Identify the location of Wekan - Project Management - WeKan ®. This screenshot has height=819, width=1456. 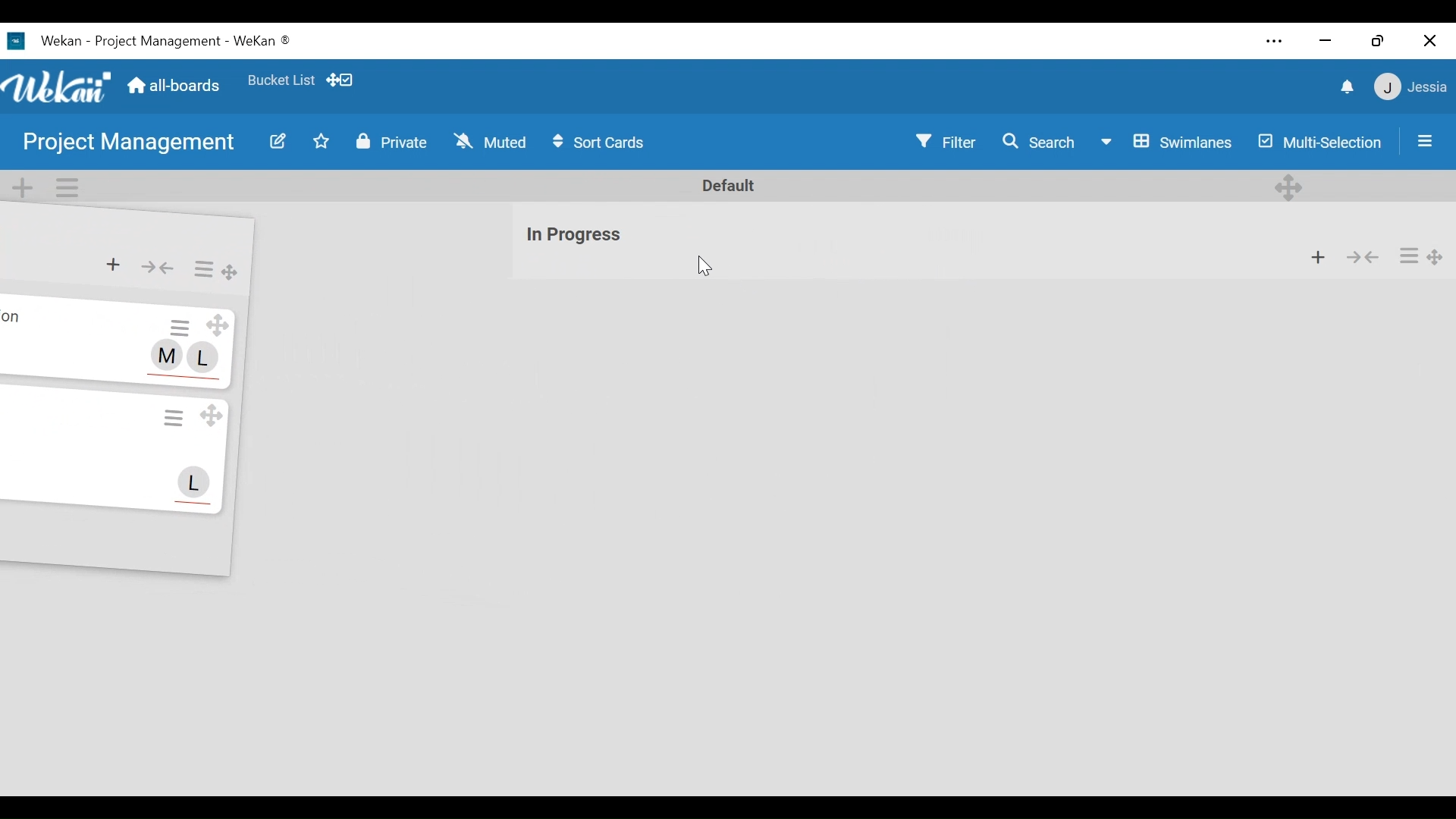
(169, 41).